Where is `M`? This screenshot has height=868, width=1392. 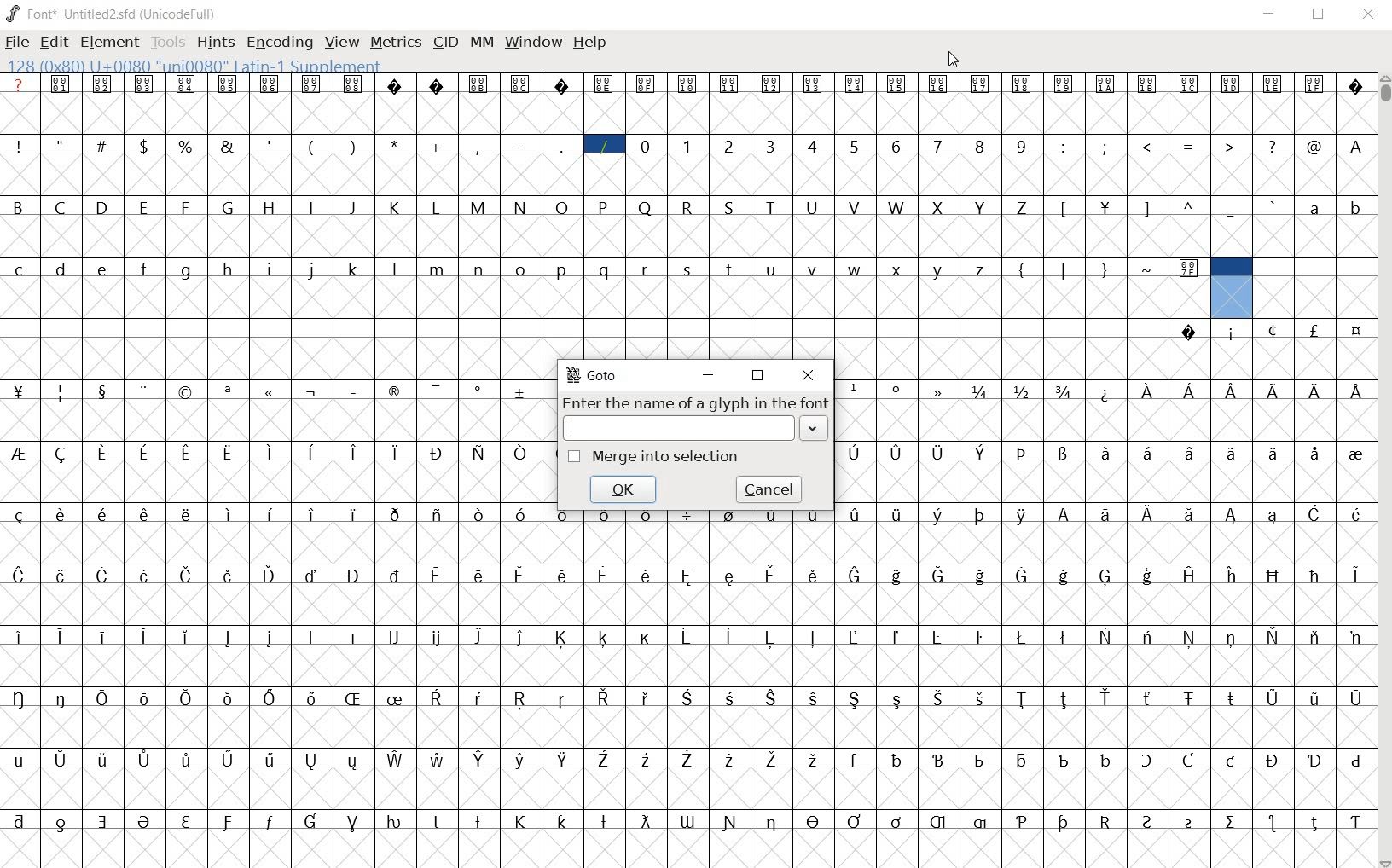 M is located at coordinates (479, 206).